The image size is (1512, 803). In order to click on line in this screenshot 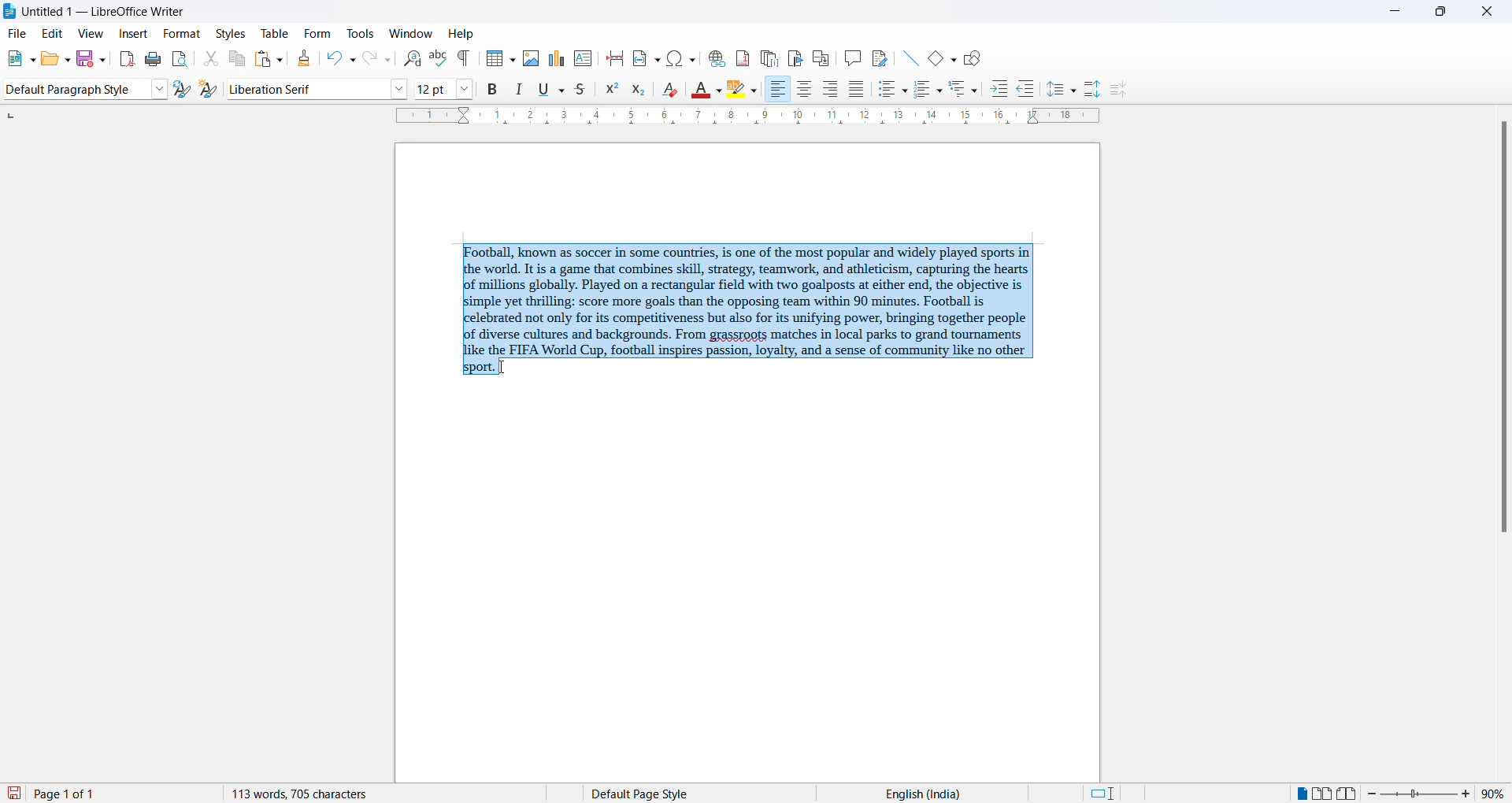, I will do `click(908, 59)`.